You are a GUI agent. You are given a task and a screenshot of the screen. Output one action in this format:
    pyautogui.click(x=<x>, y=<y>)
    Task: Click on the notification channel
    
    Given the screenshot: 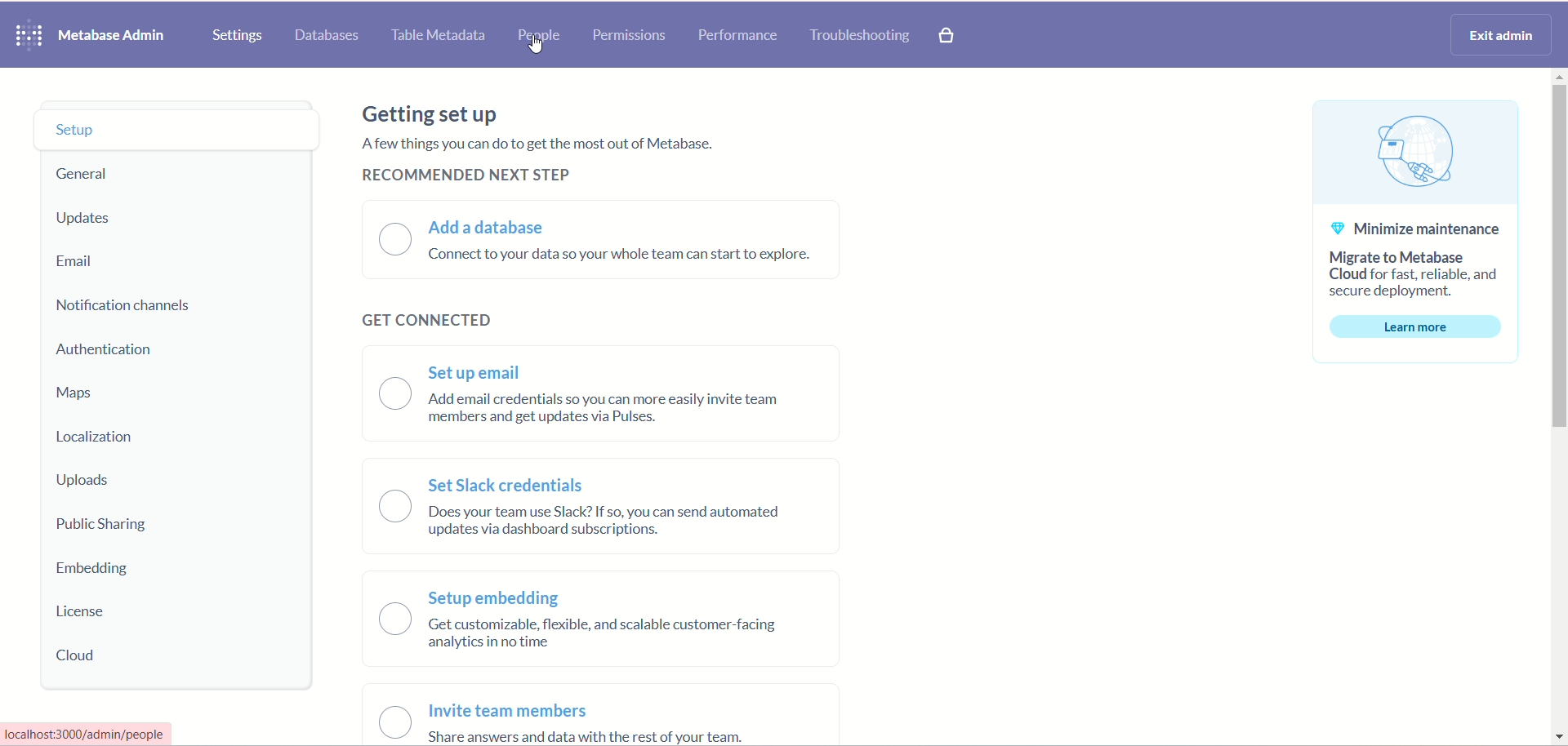 What is the action you would take?
    pyautogui.click(x=136, y=308)
    